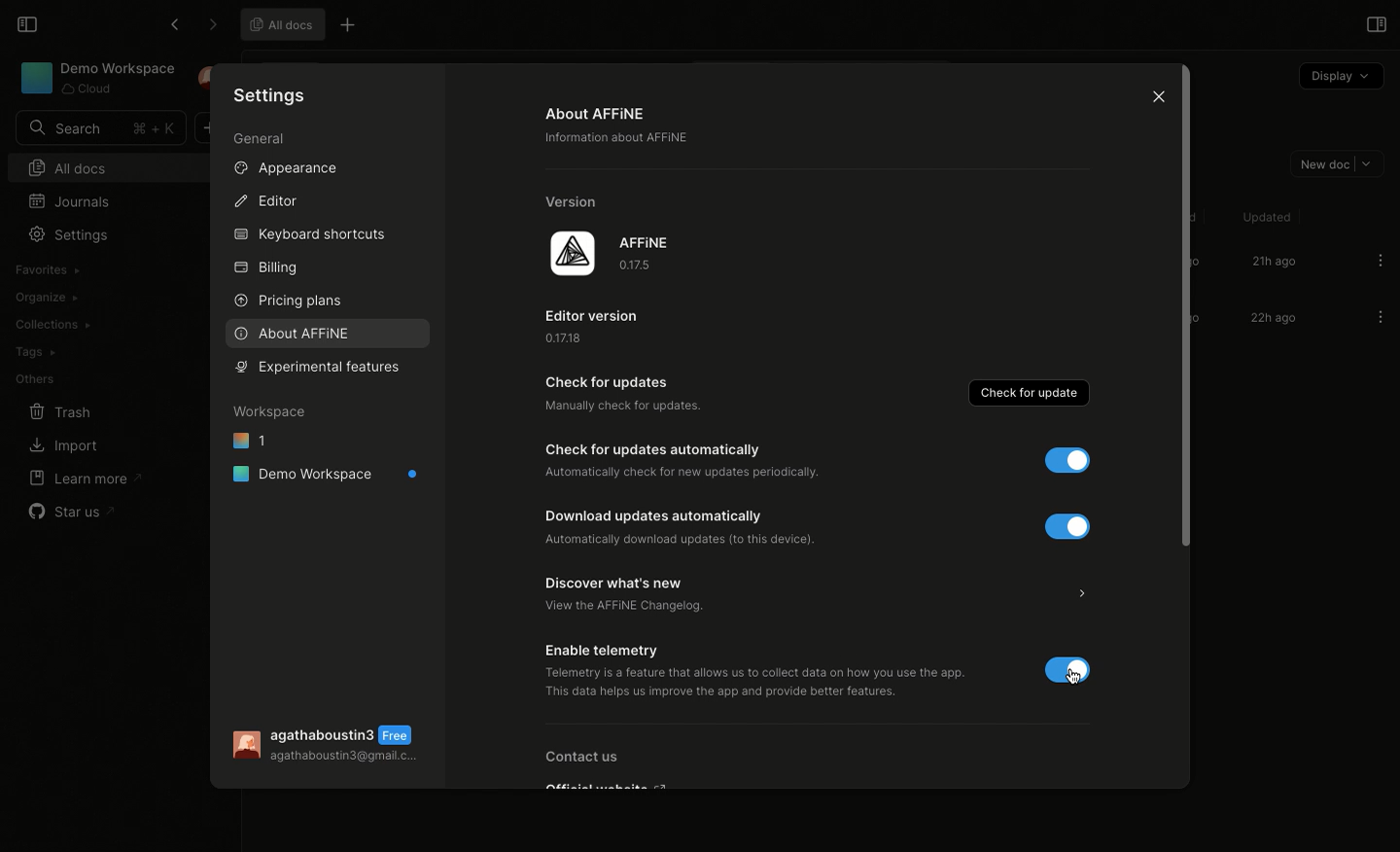 This screenshot has width=1400, height=852. Describe the element at coordinates (25, 22) in the screenshot. I see `Collapse sidebar` at that location.